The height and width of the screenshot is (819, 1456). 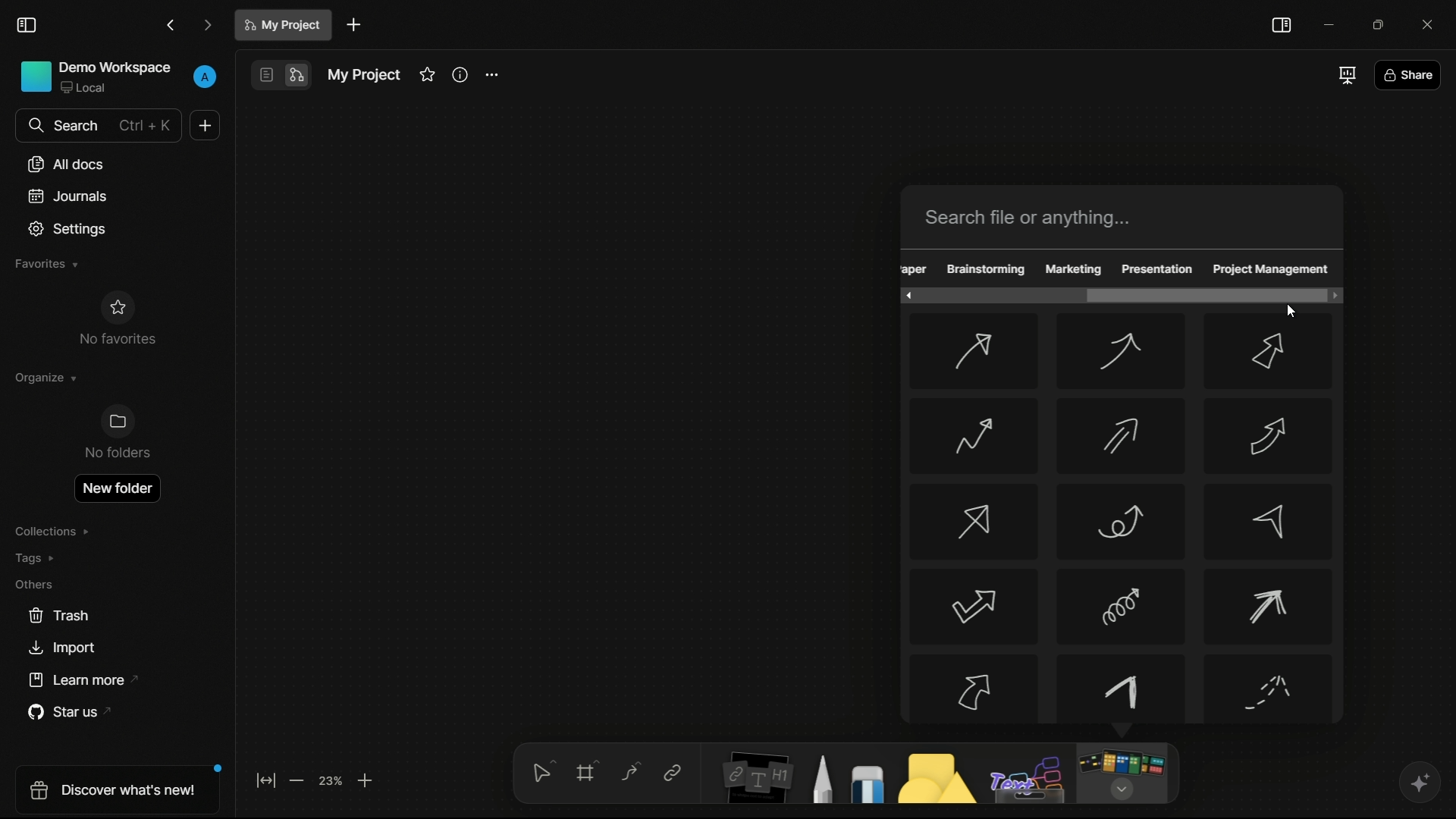 What do you see at coordinates (985, 269) in the screenshot?
I see `brainstorming` at bounding box center [985, 269].